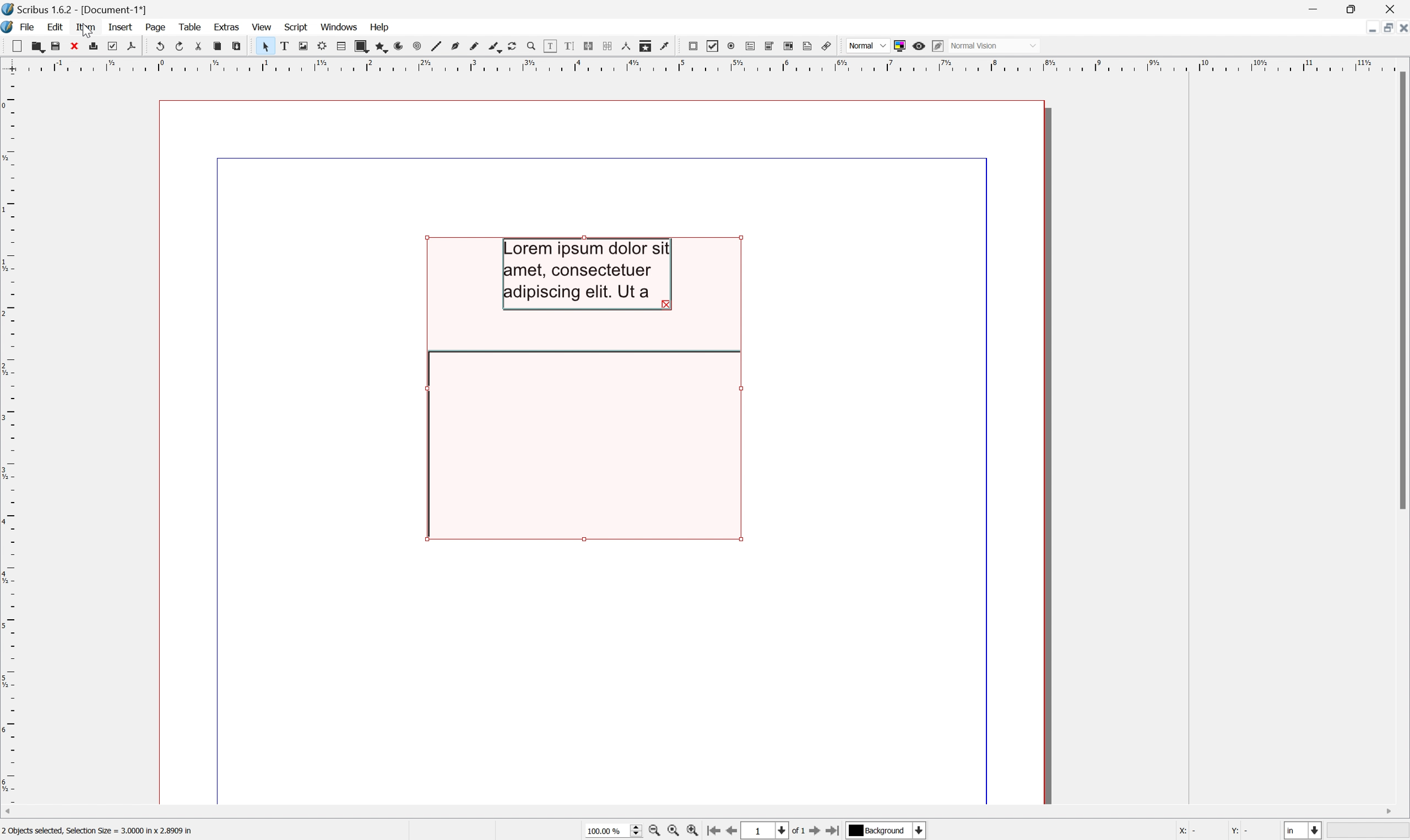  I want to click on PDF text field, so click(748, 46).